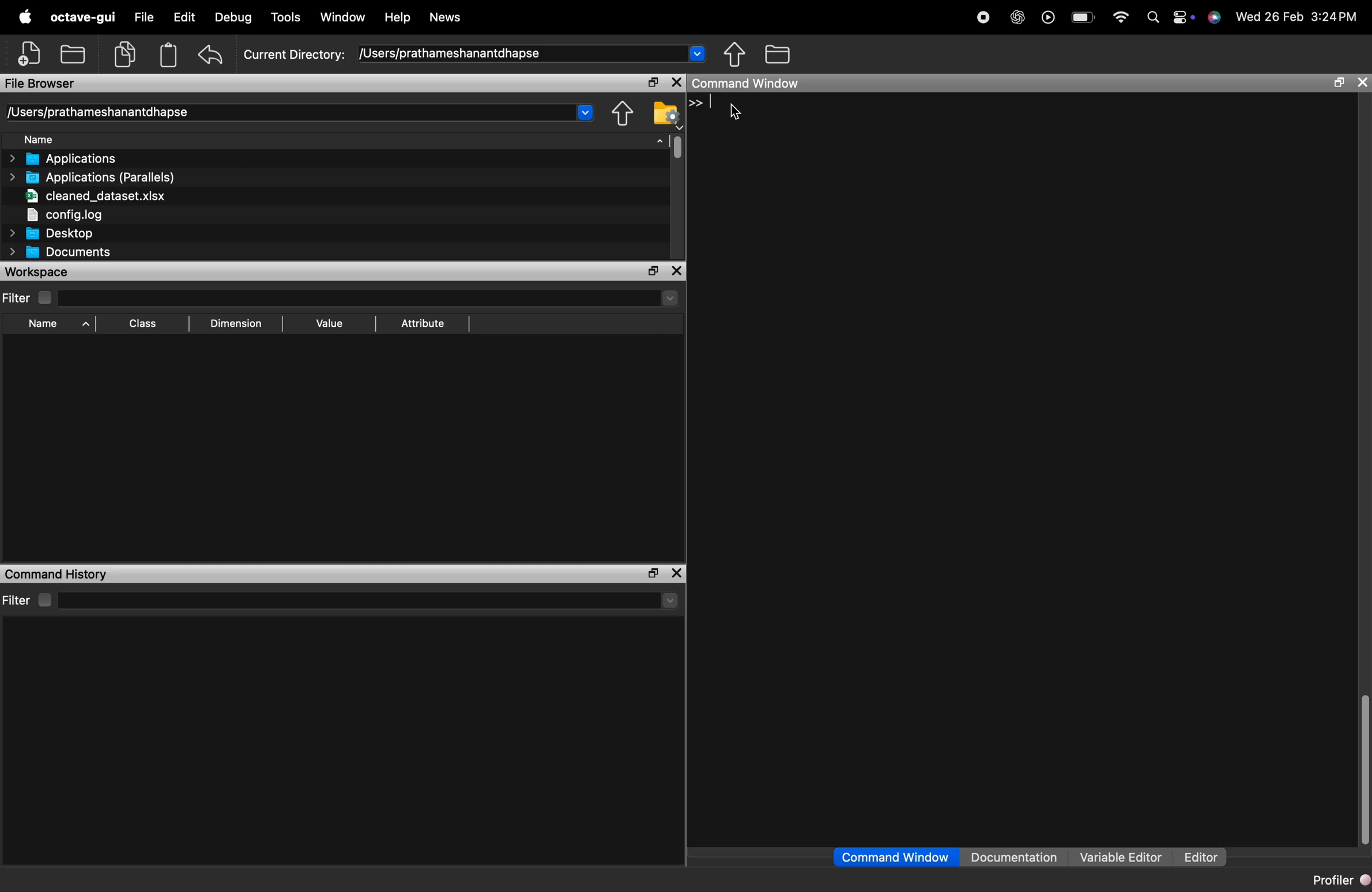  What do you see at coordinates (423, 324) in the screenshot?
I see `Attribute` at bounding box center [423, 324].